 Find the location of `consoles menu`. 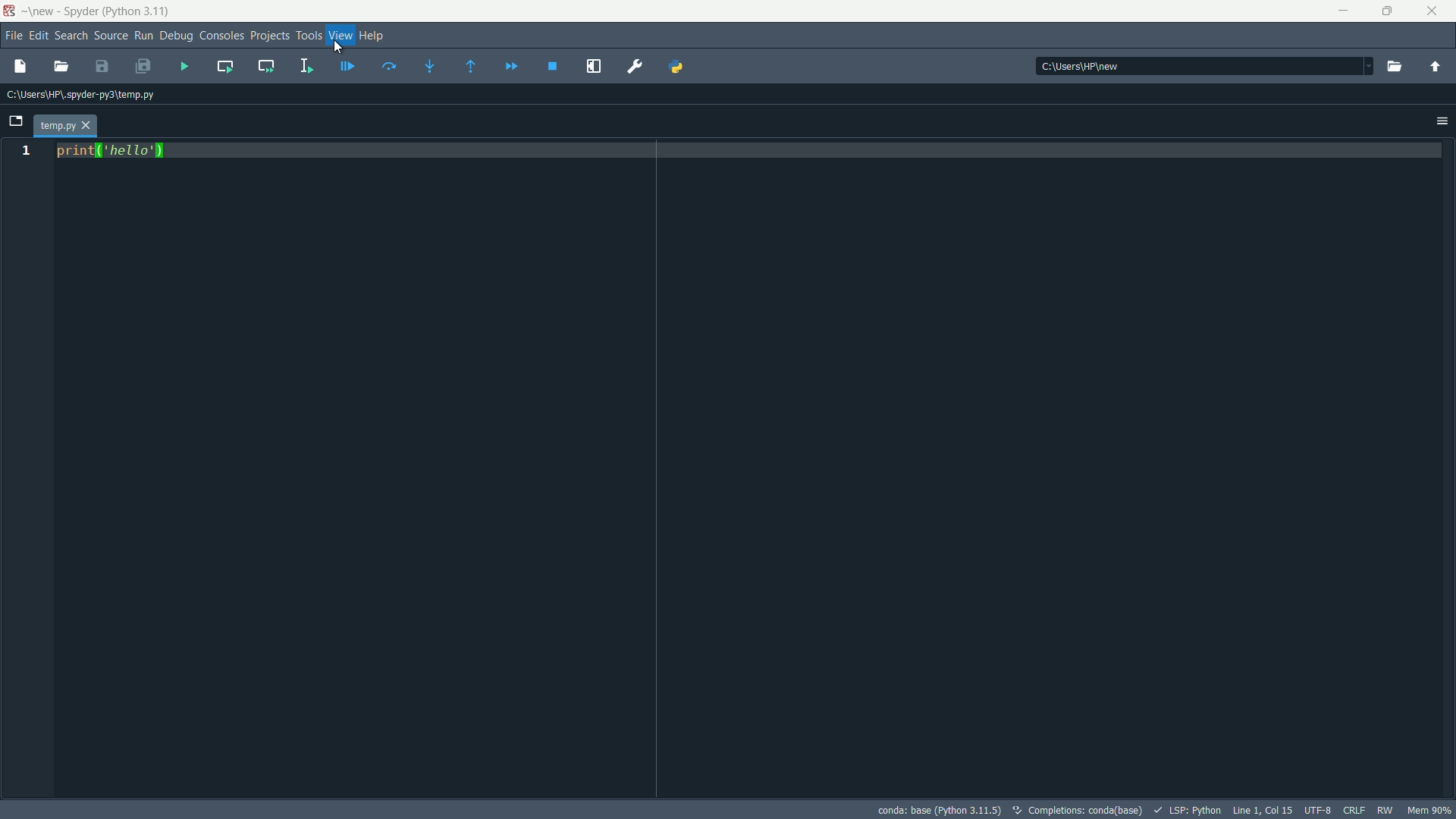

consoles menu is located at coordinates (221, 36).